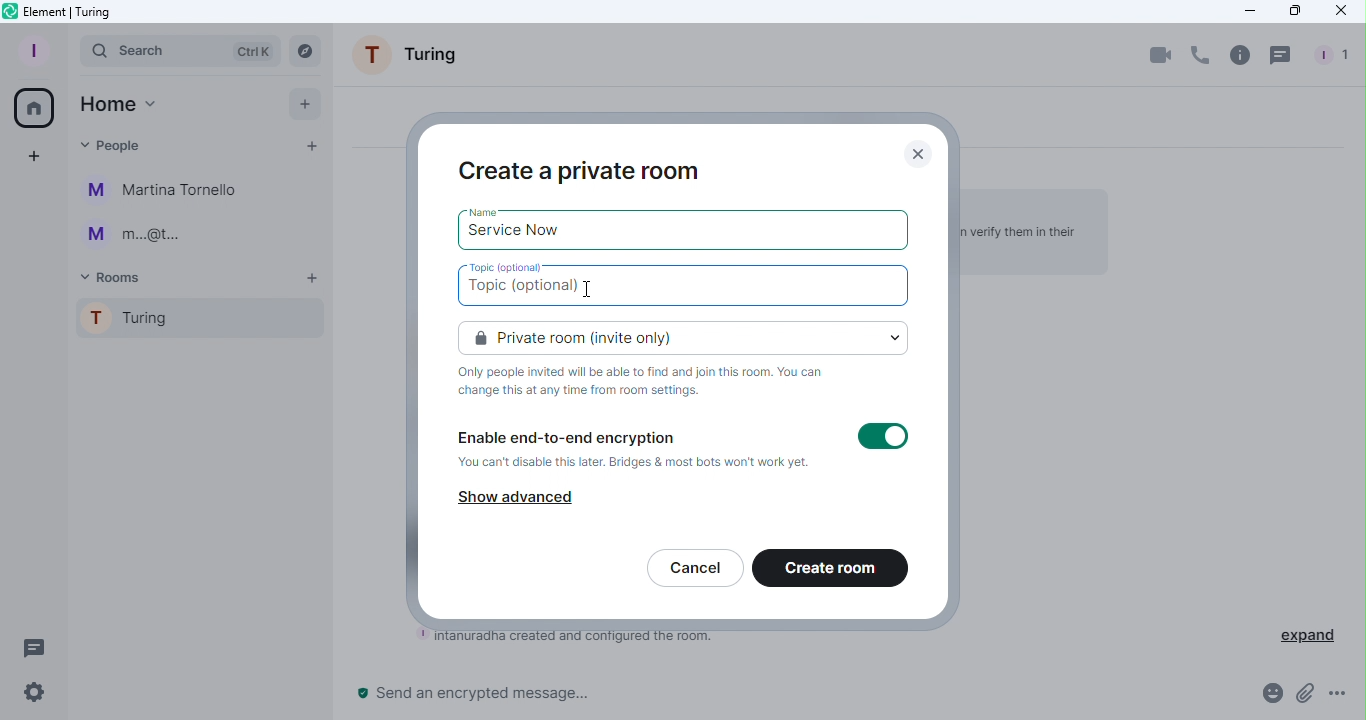 The height and width of the screenshot is (720, 1366). I want to click on Video call, so click(1161, 54).